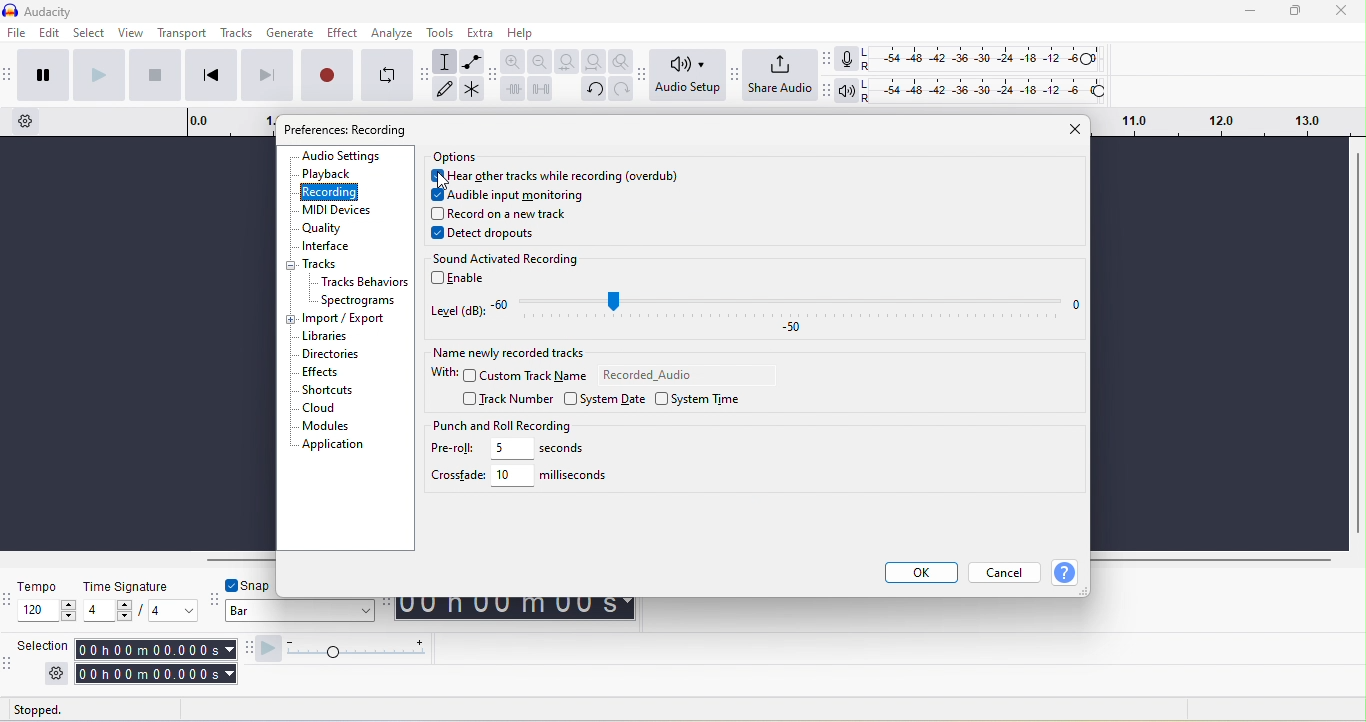 Image resolution: width=1366 pixels, height=722 pixels. What do you see at coordinates (323, 410) in the screenshot?
I see `cloud` at bounding box center [323, 410].